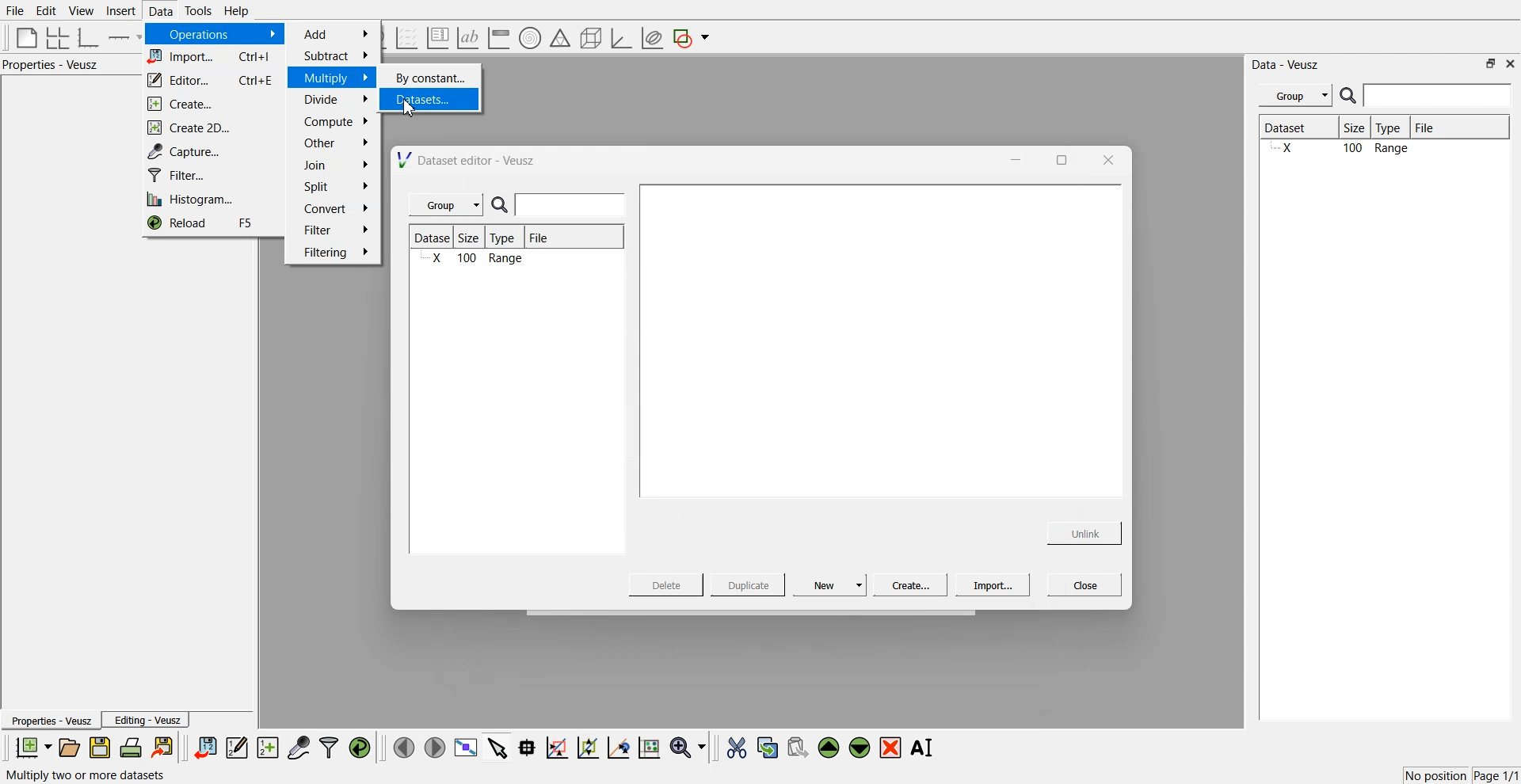  I want to click on minimise or maximise, so click(1491, 63).